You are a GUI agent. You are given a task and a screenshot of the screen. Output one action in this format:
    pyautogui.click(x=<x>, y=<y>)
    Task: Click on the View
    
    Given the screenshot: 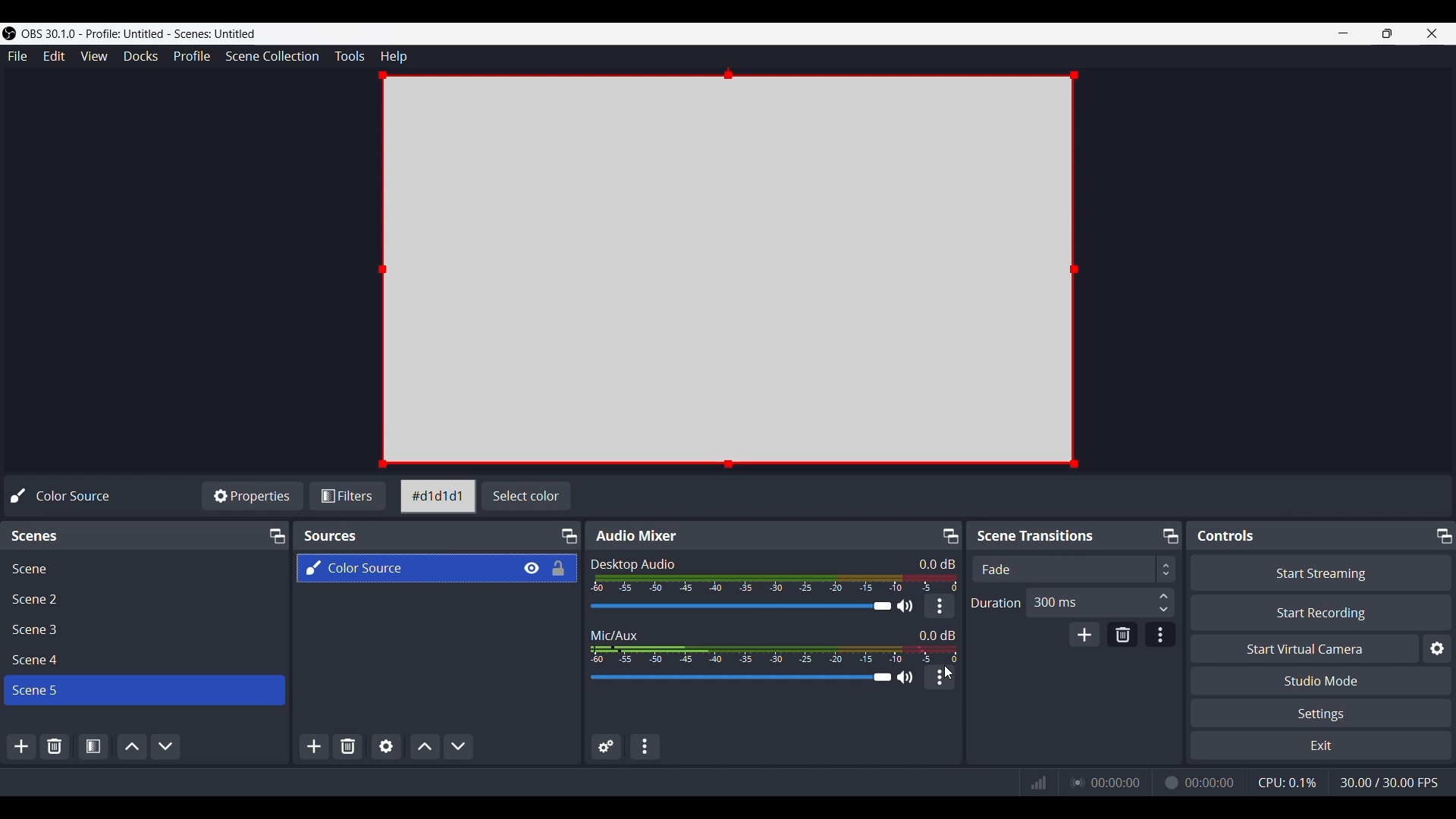 What is the action you would take?
    pyautogui.click(x=93, y=56)
    